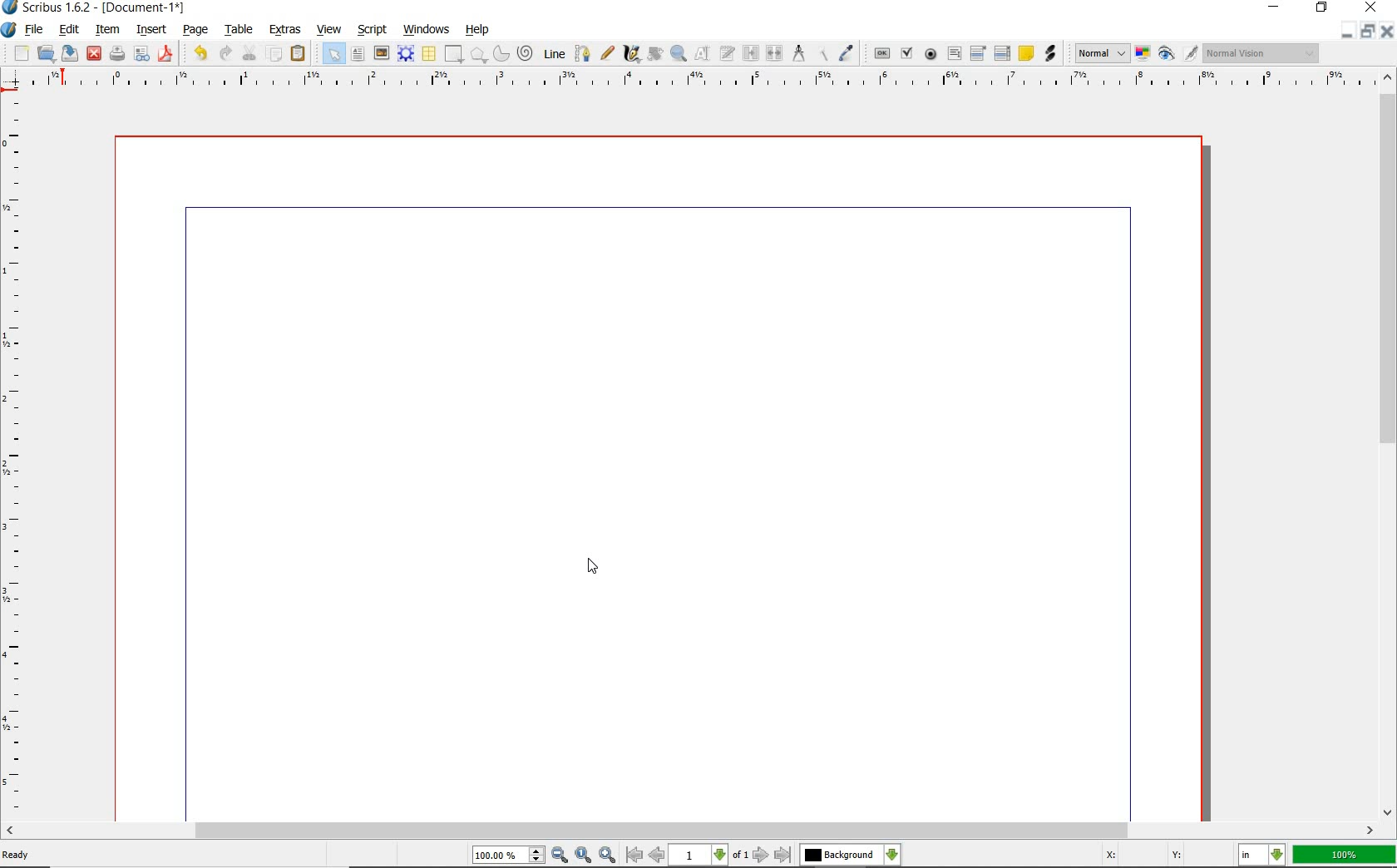 The width and height of the screenshot is (1397, 868). I want to click on edit contents of frame, so click(703, 52).